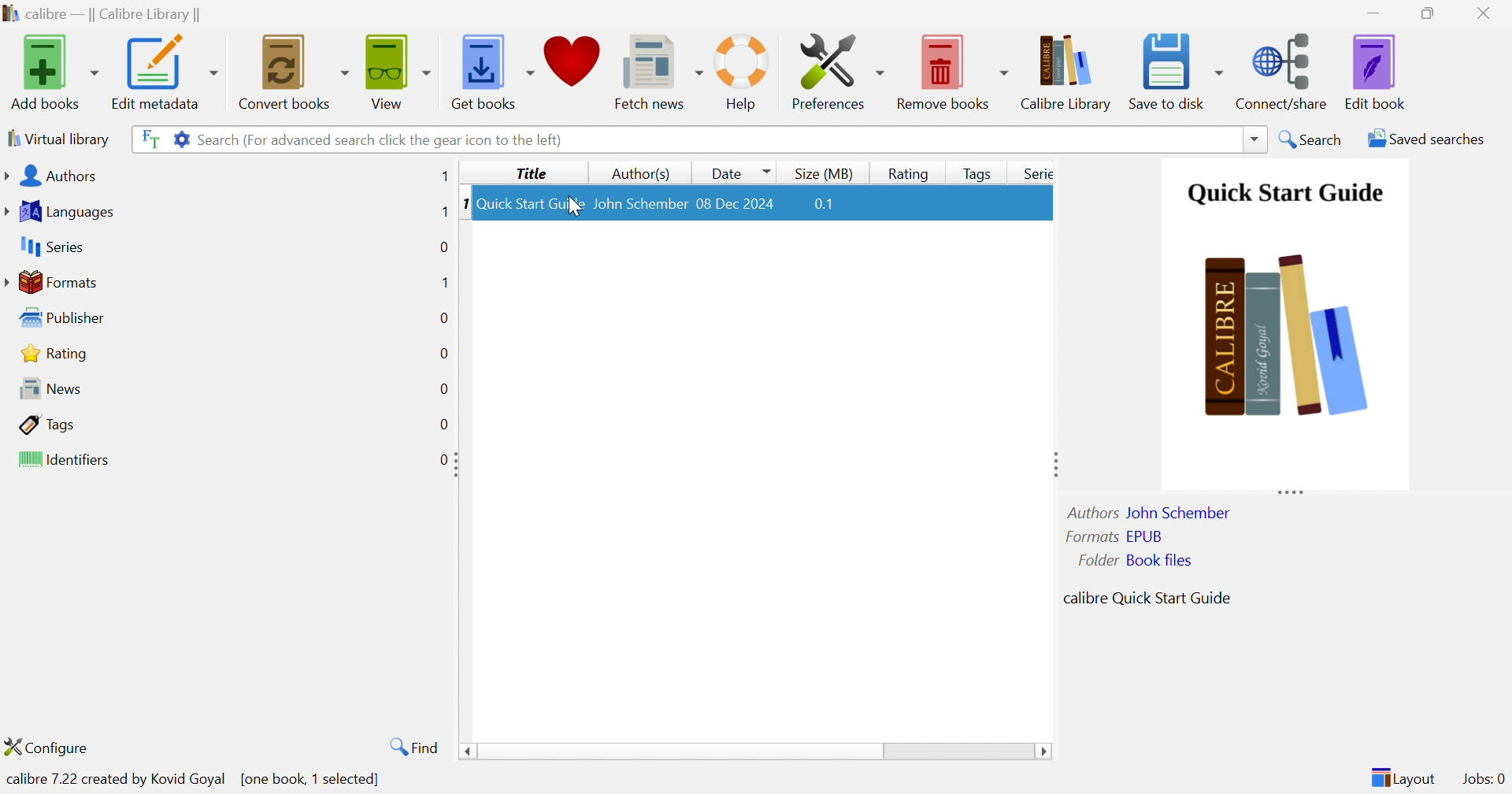 The height and width of the screenshot is (794, 1512). What do you see at coordinates (383, 141) in the screenshot?
I see `Search (For advanced search click the gear icon to the left)` at bounding box center [383, 141].